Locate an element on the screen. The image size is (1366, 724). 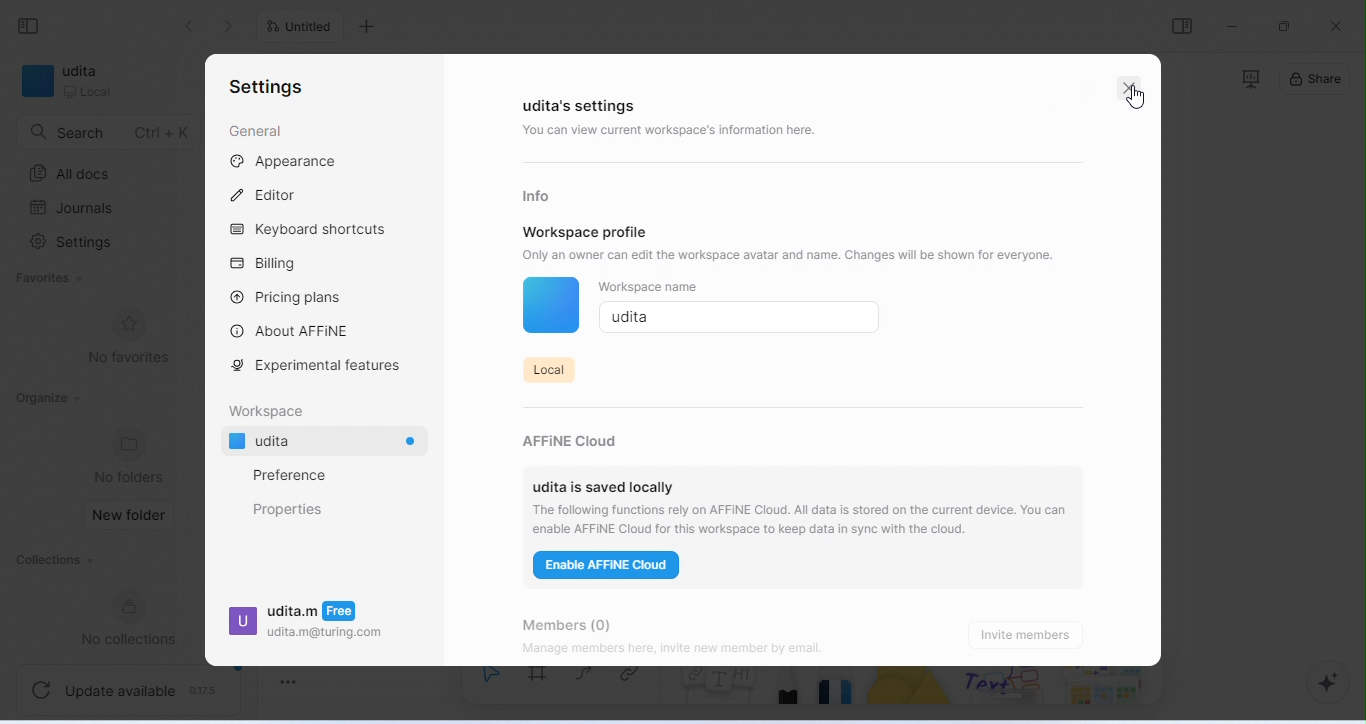
cursor movement is located at coordinates (1137, 95).